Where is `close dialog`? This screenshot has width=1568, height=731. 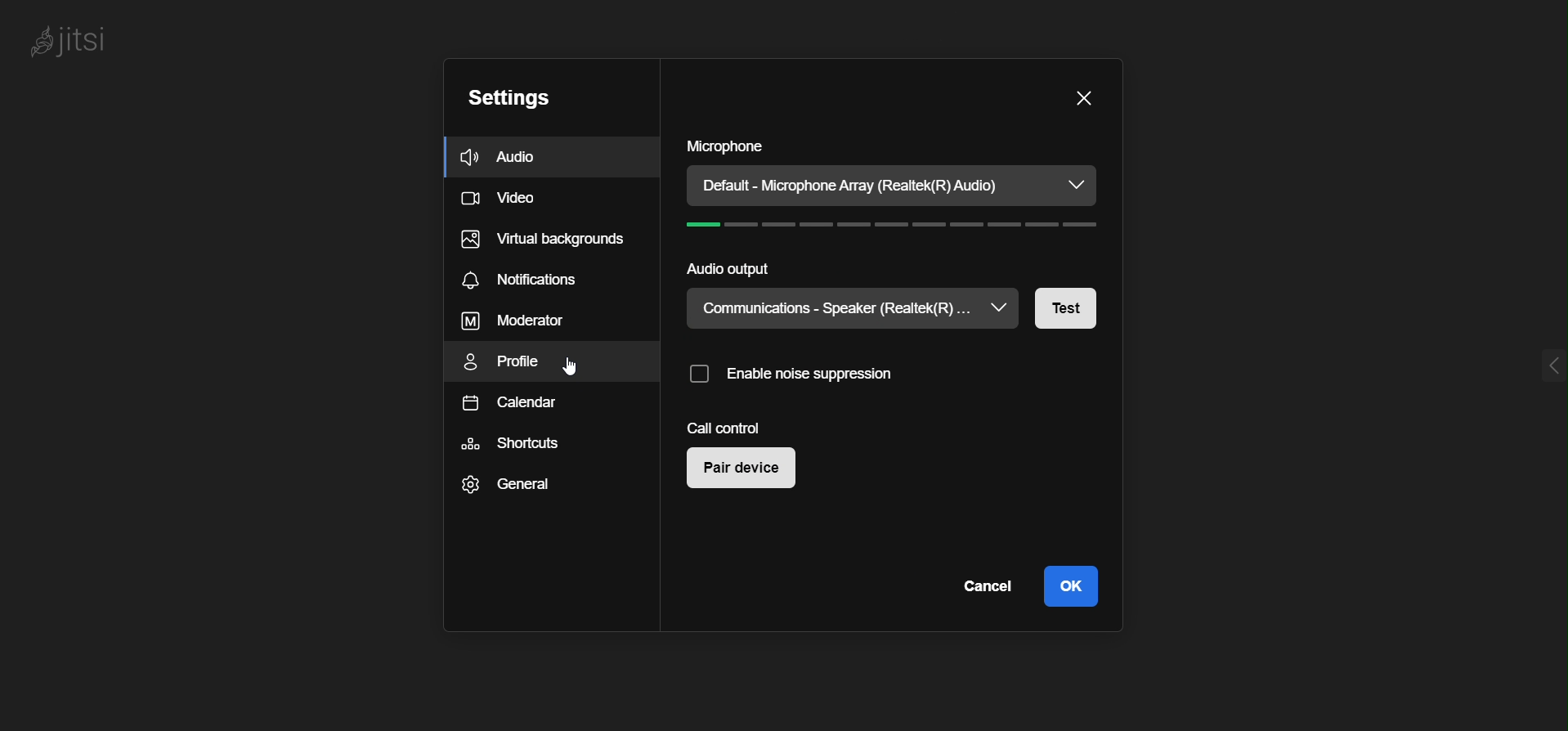 close dialog is located at coordinates (1084, 98).